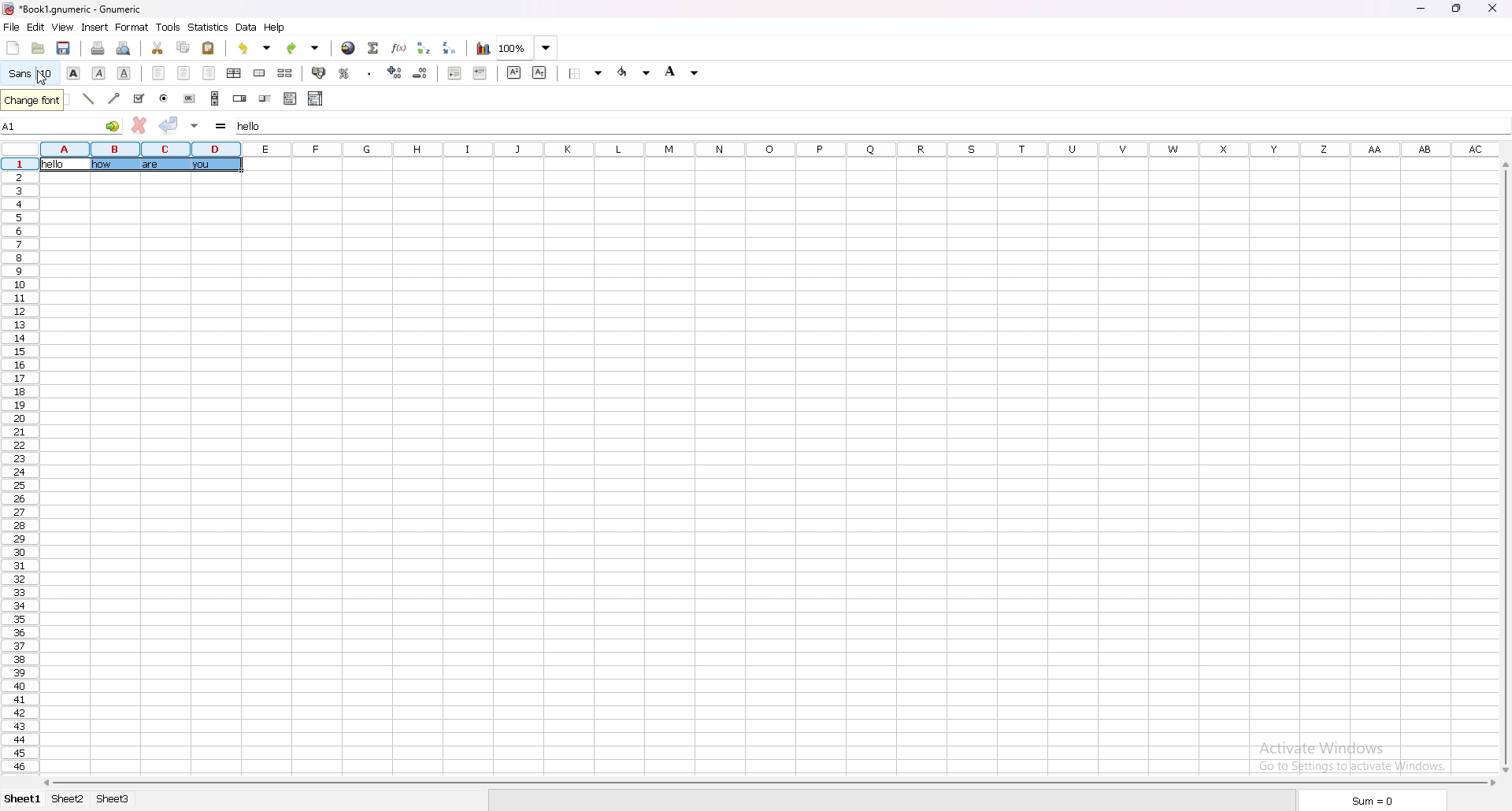 The image size is (1512, 811). What do you see at coordinates (369, 72) in the screenshot?
I see `thousand separator` at bounding box center [369, 72].